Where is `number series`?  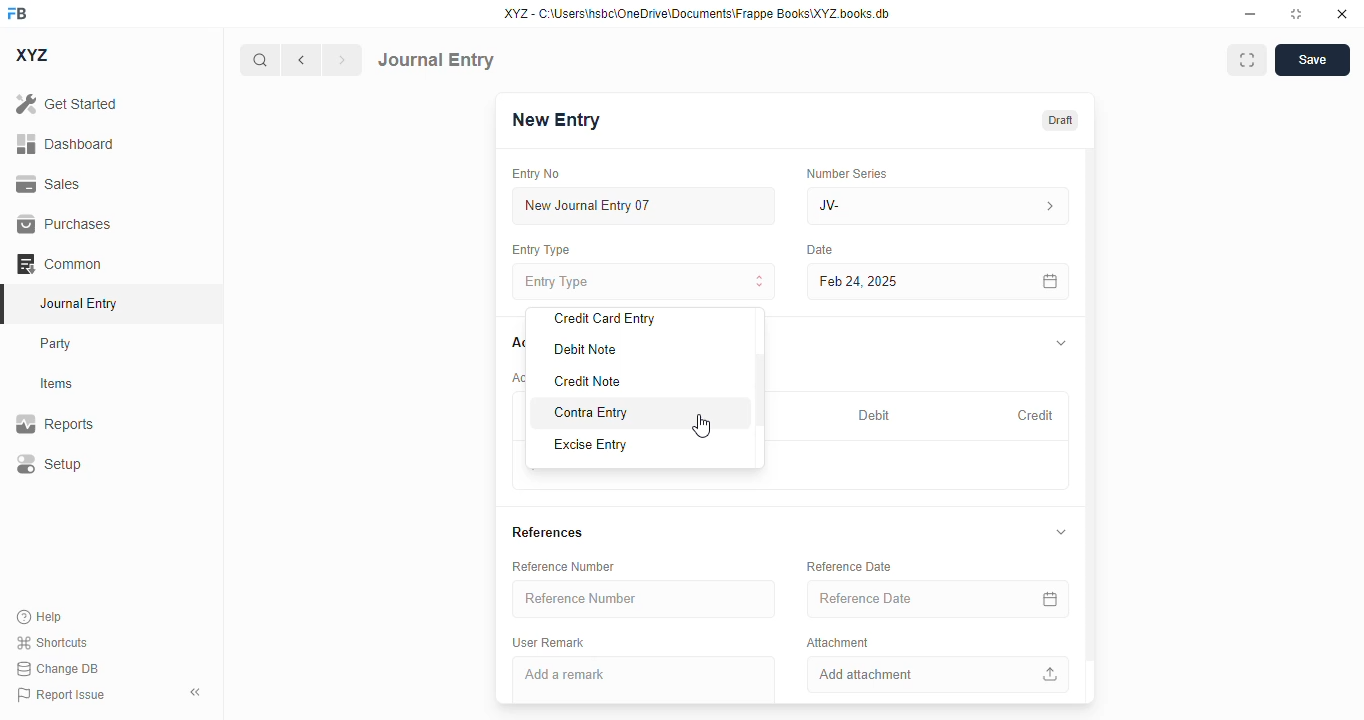 number series is located at coordinates (849, 173).